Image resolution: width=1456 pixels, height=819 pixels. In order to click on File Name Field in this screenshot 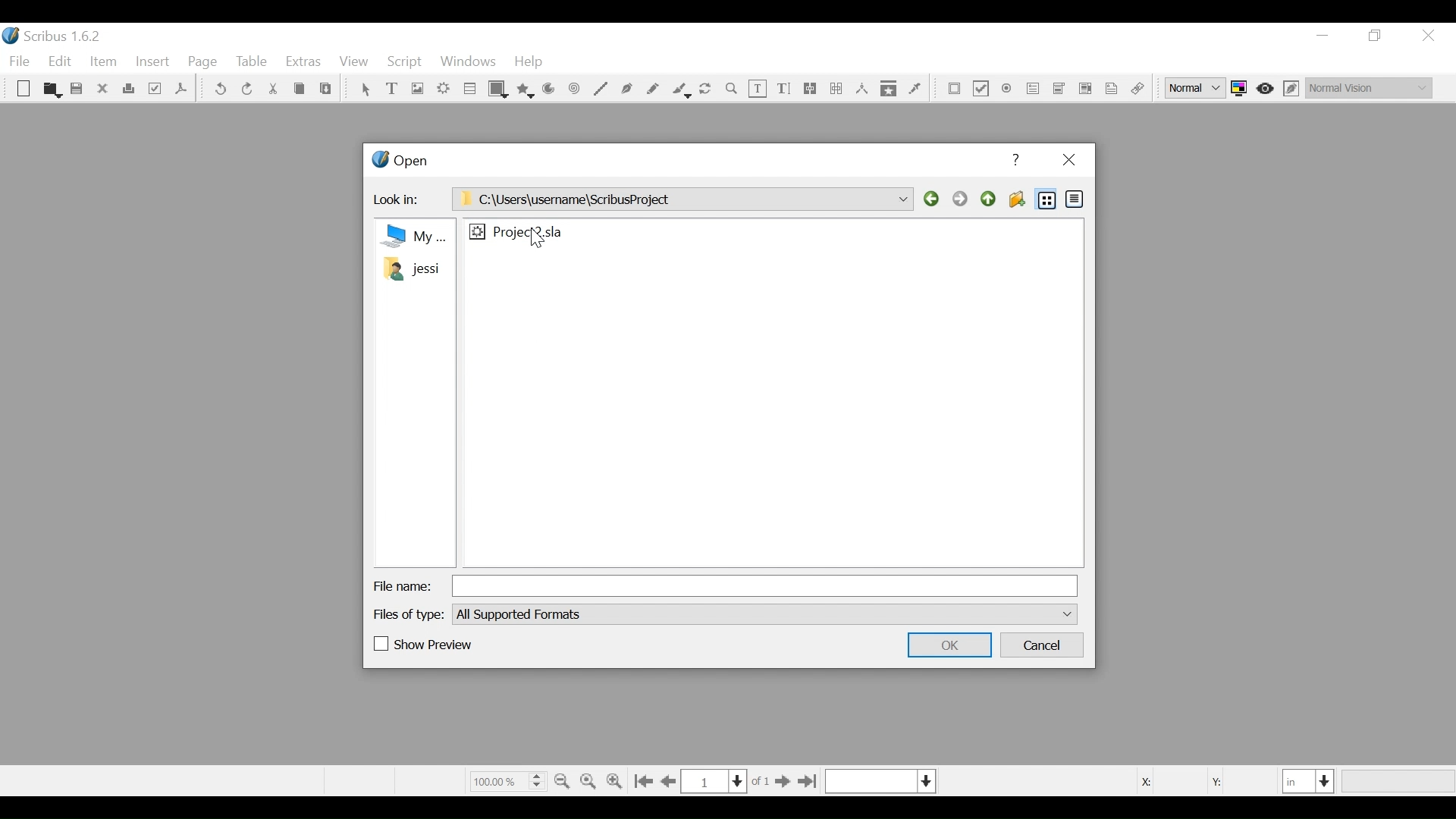, I will do `click(767, 585)`.